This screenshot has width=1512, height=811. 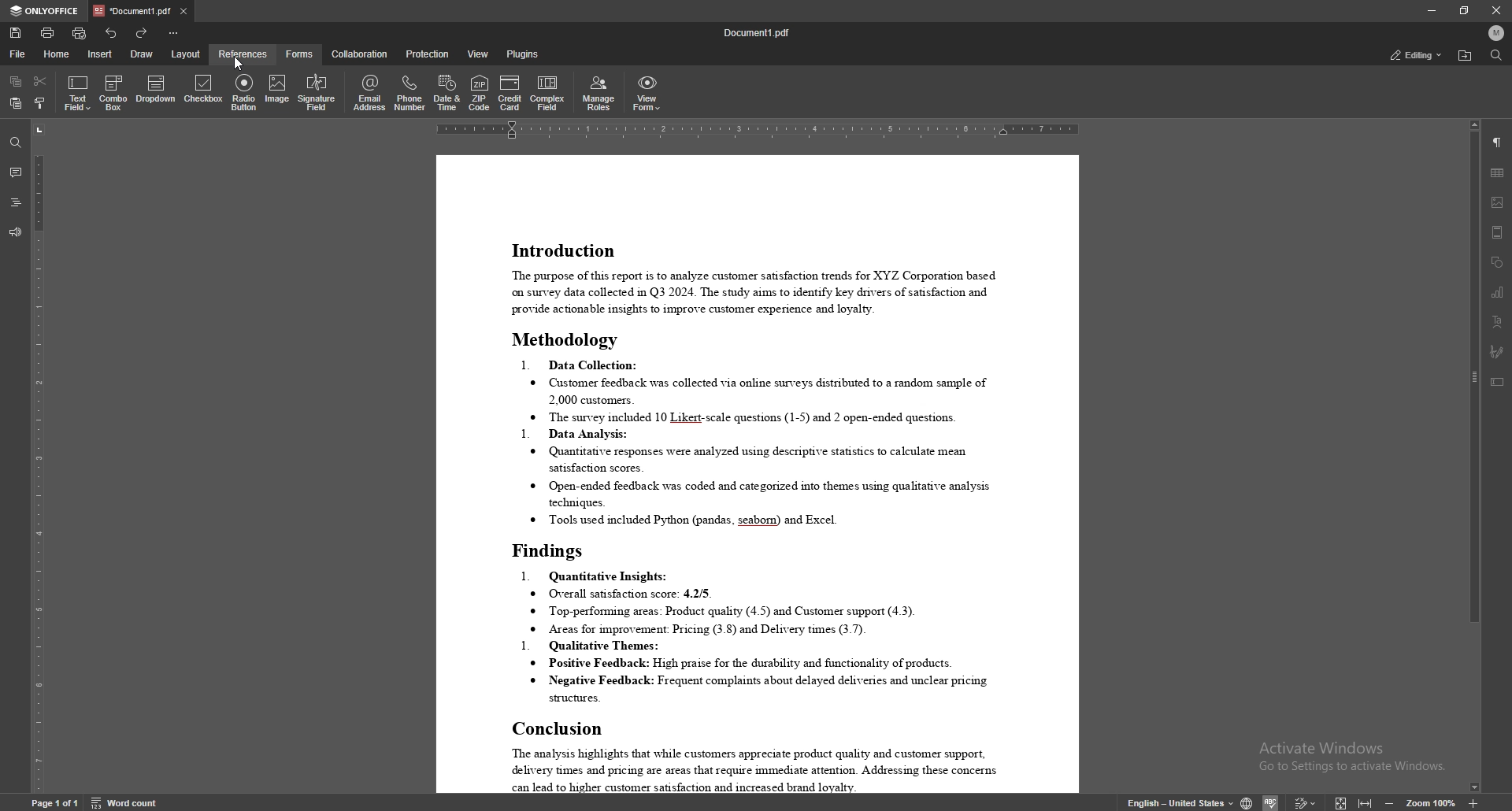 What do you see at coordinates (125, 802) in the screenshot?
I see `word count` at bounding box center [125, 802].